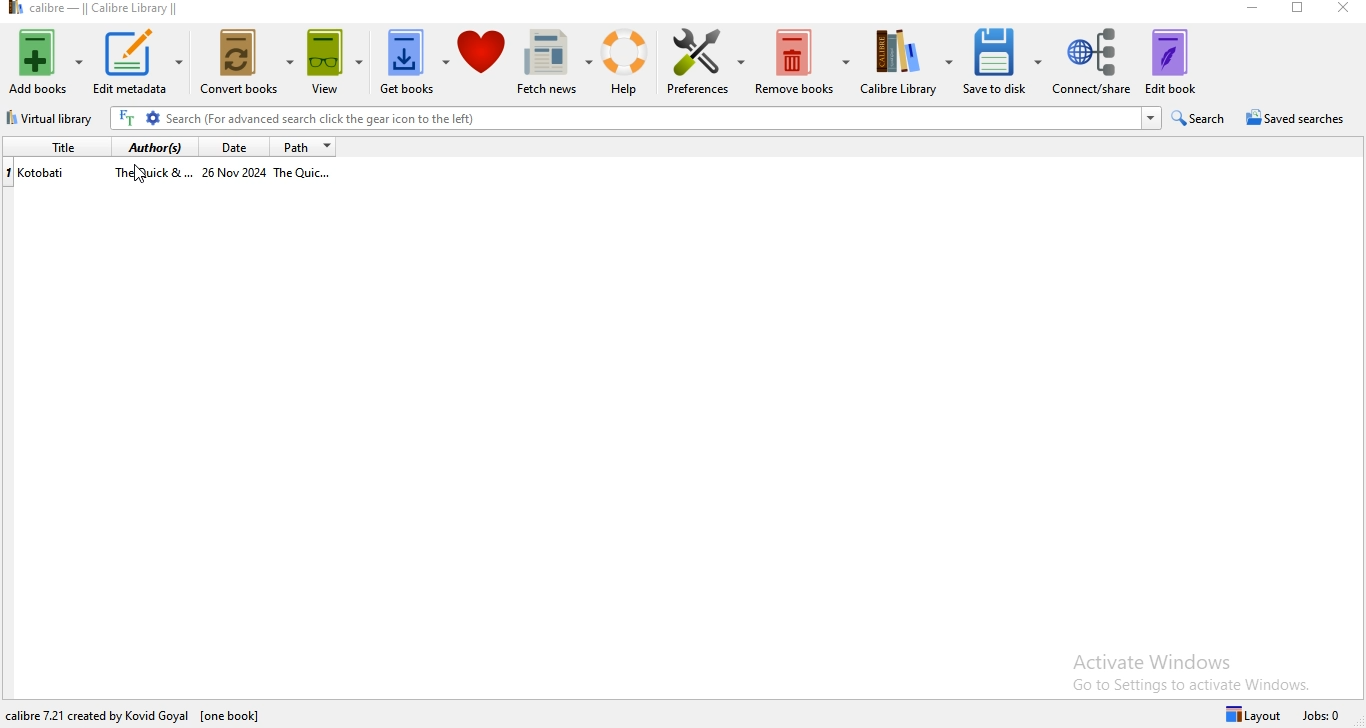 The width and height of the screenshot is (1366, 728). I want to click on calibre library, so click(904, 65).